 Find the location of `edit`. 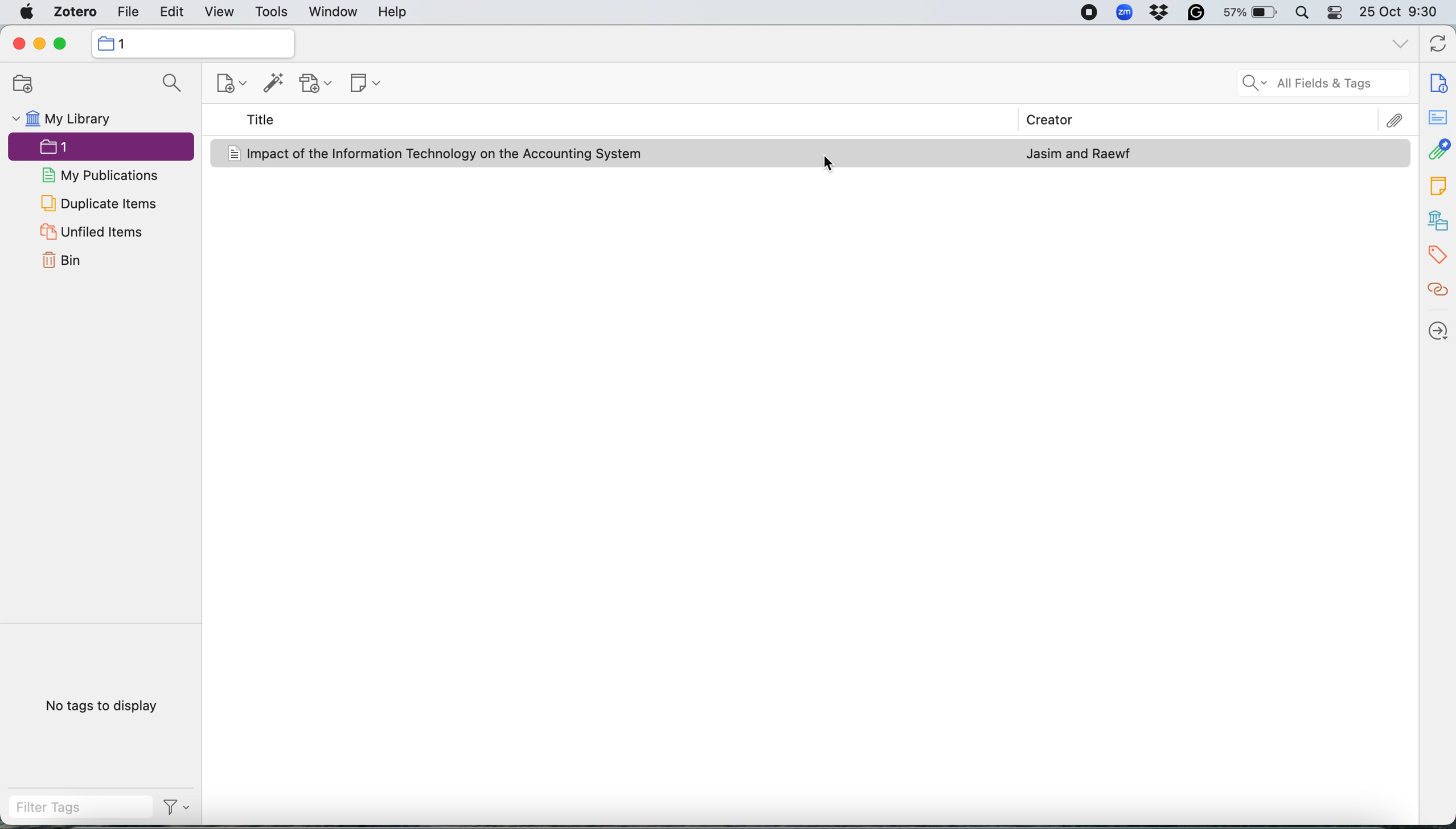

edit is located at coordinates (170, 10).